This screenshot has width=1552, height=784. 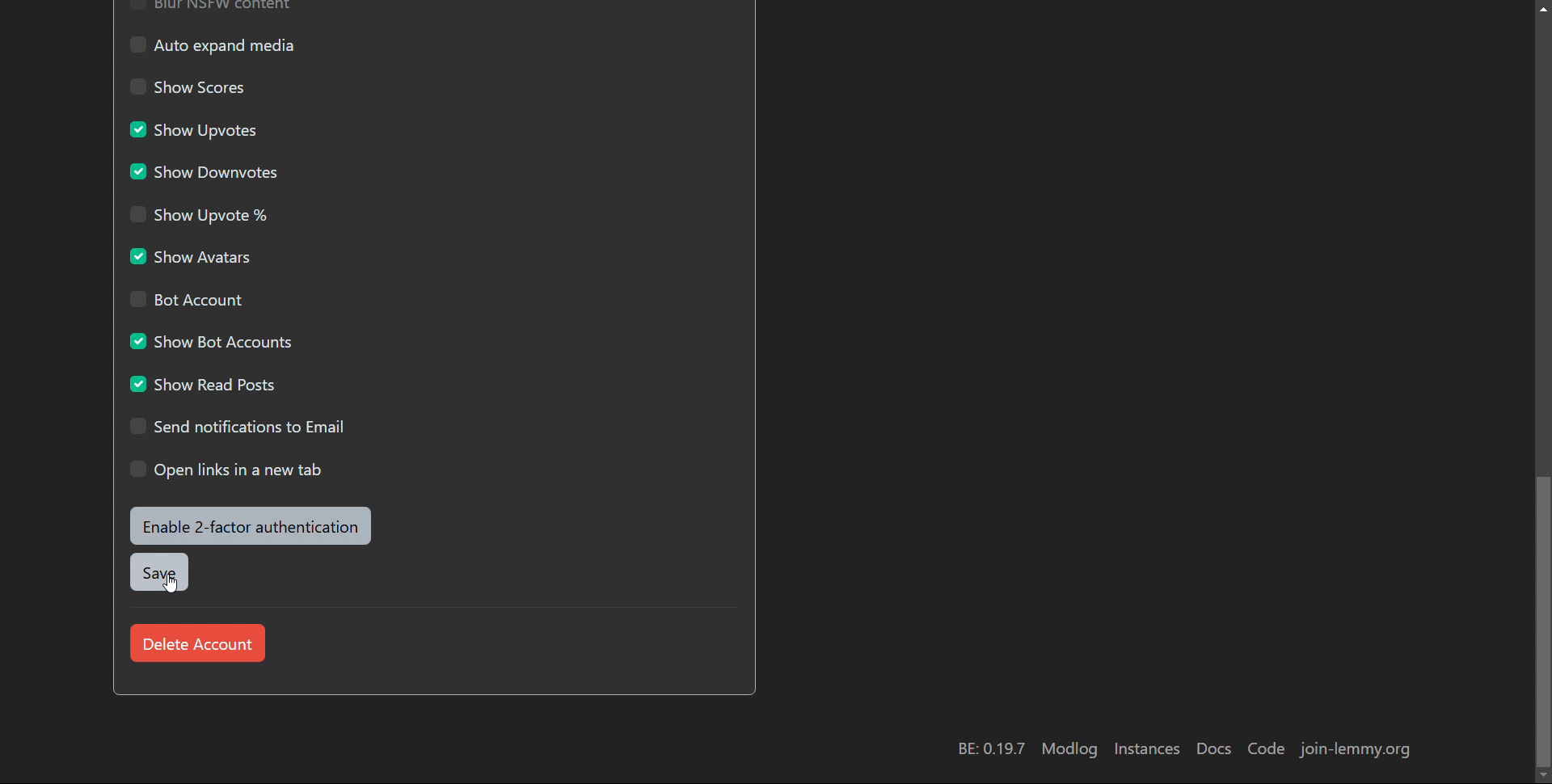 What do you see at coordinates (250, 526) in the screenshot?
I see `enable 2-factor authentication` at bounding box center [250, 526].